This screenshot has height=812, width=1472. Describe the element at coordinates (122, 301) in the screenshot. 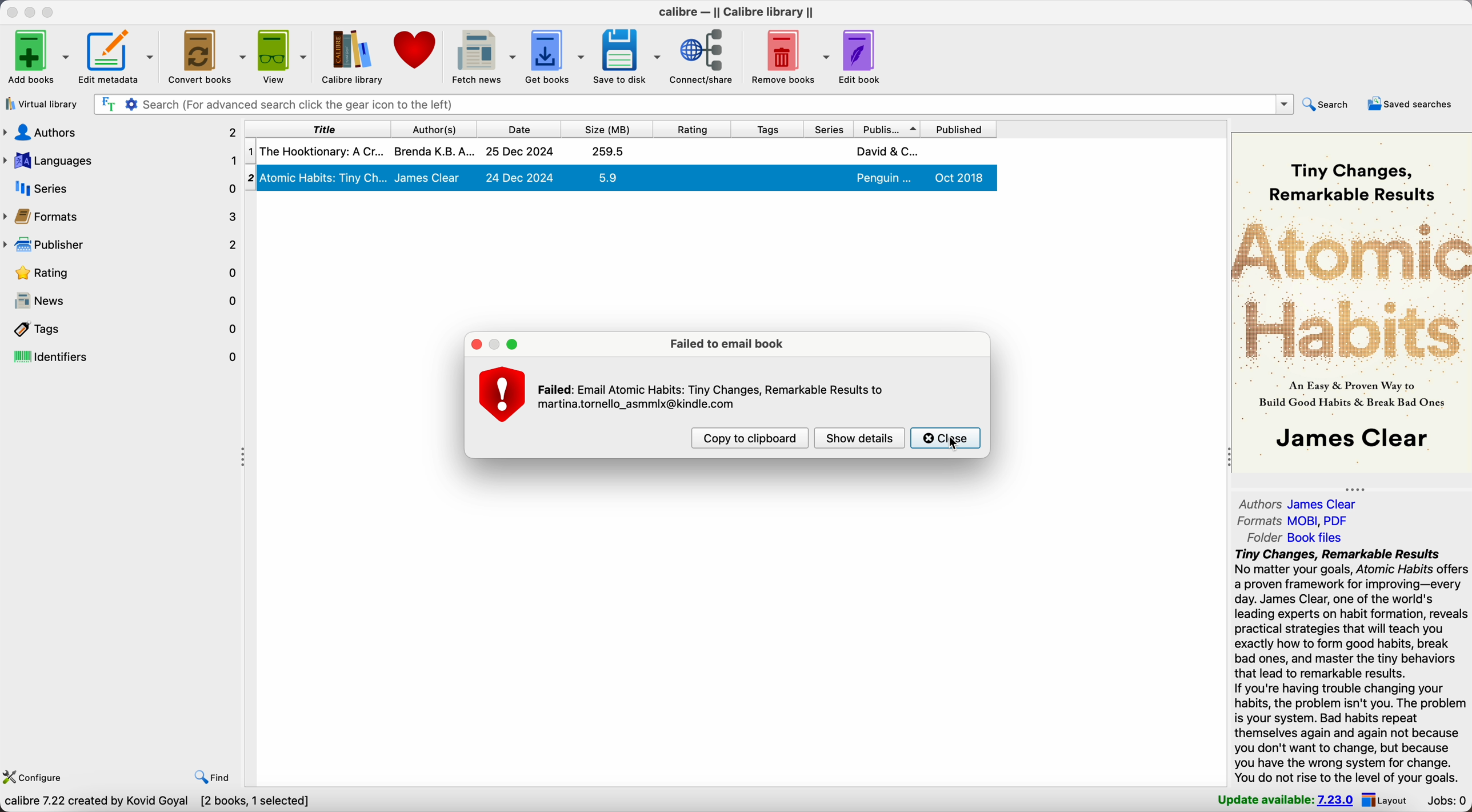

I see `news` at that location.